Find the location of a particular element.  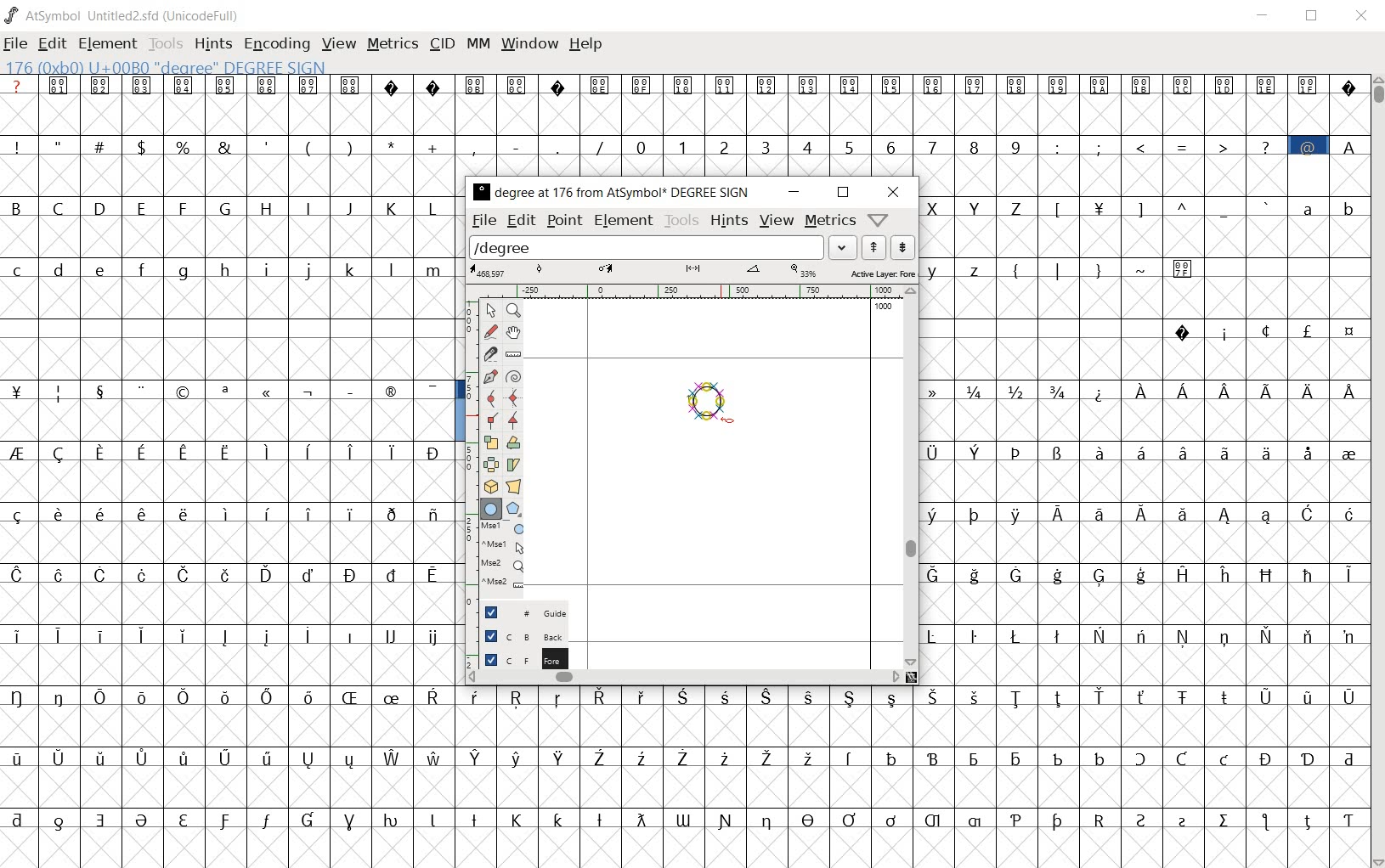

empty glyph slots is located at coordinates (1146, 605).